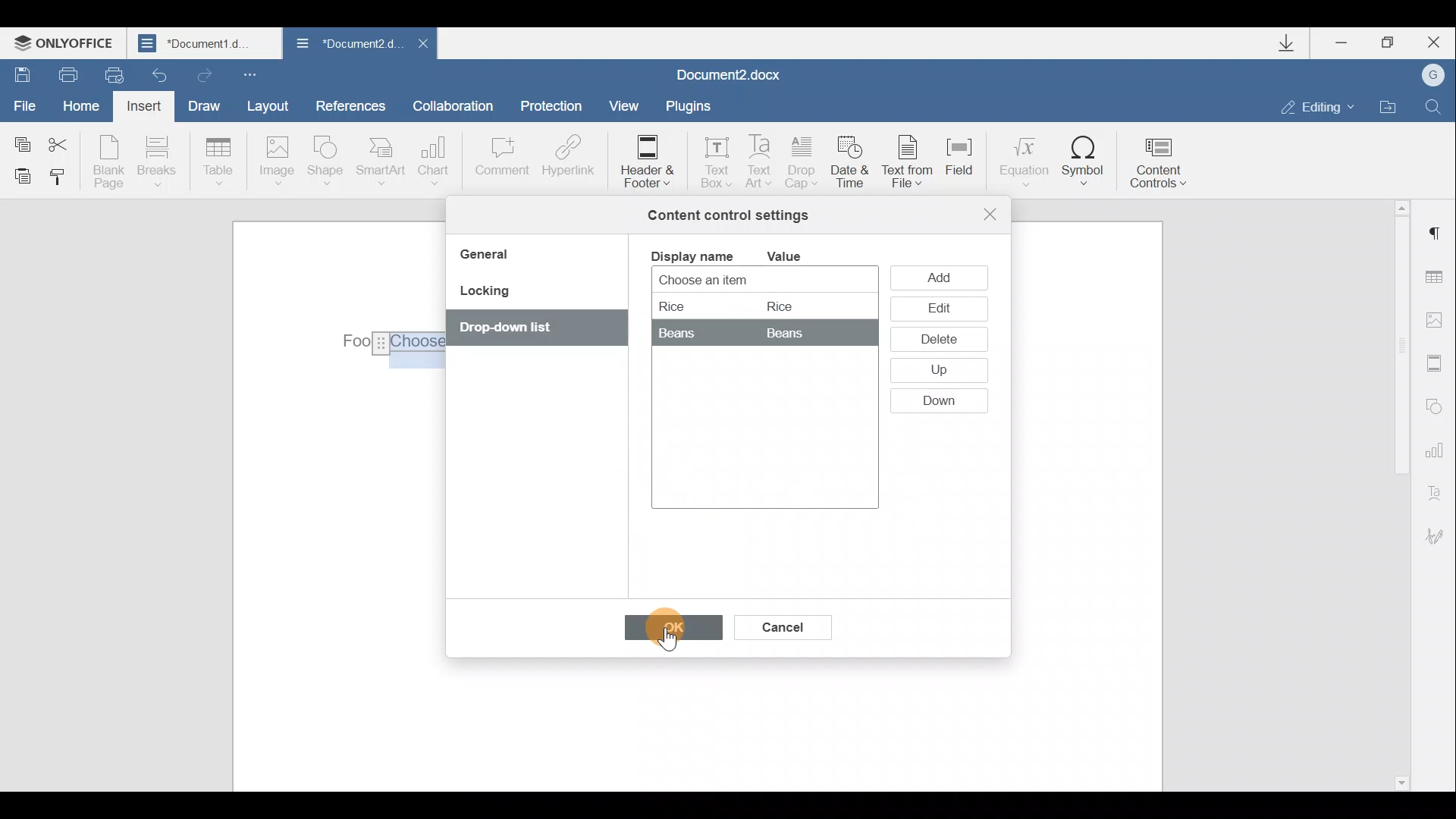 The image size is (1456, 819). What do you see at coordinates (161, 71) in the screenshot?
I see `Undo` at bounding box center [161, 71].